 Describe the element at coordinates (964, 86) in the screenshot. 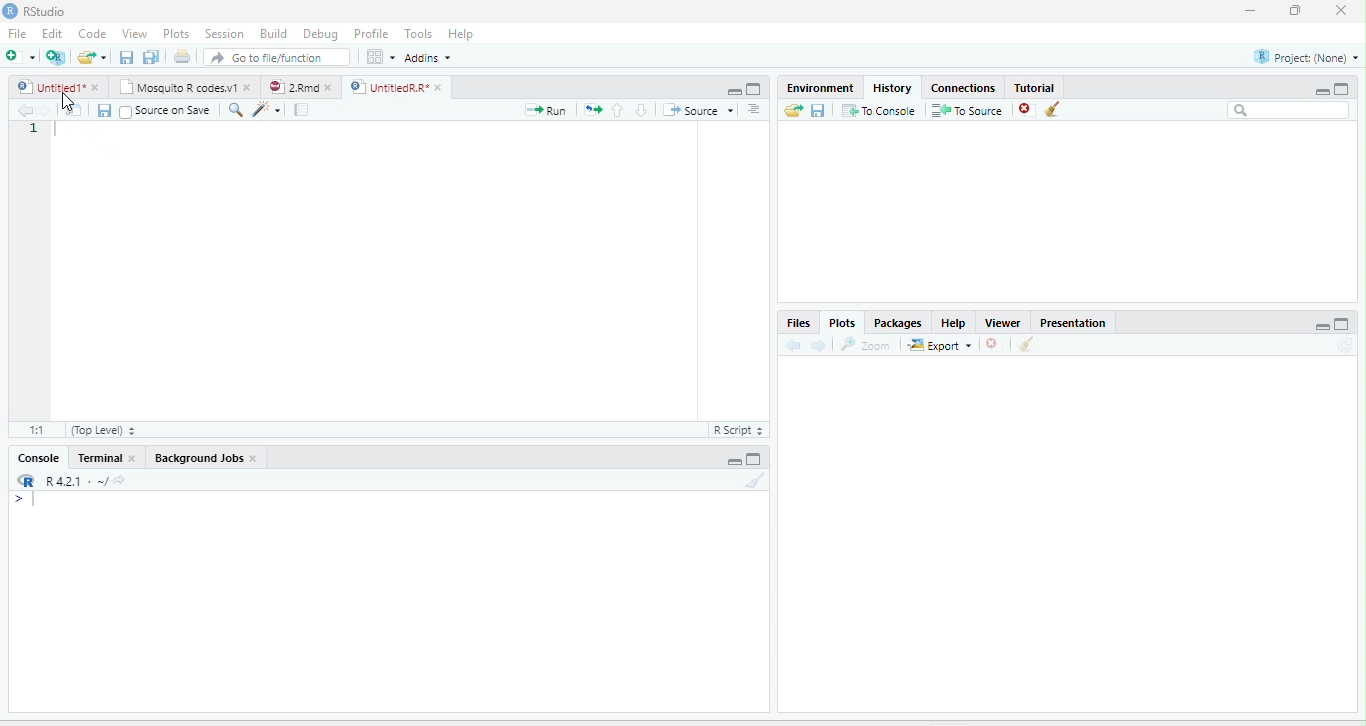

I see `Connections` at that location.